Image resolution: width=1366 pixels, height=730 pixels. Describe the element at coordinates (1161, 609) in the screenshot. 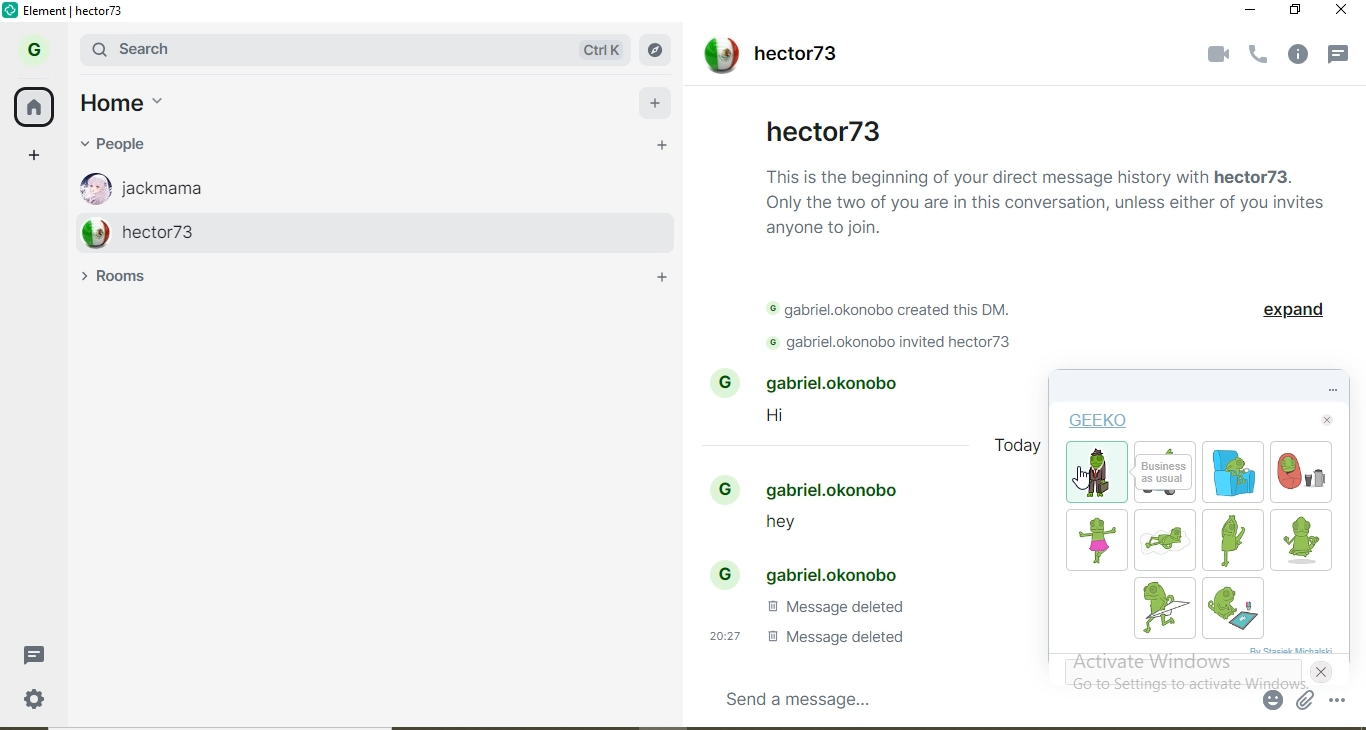

I see `` at that location.